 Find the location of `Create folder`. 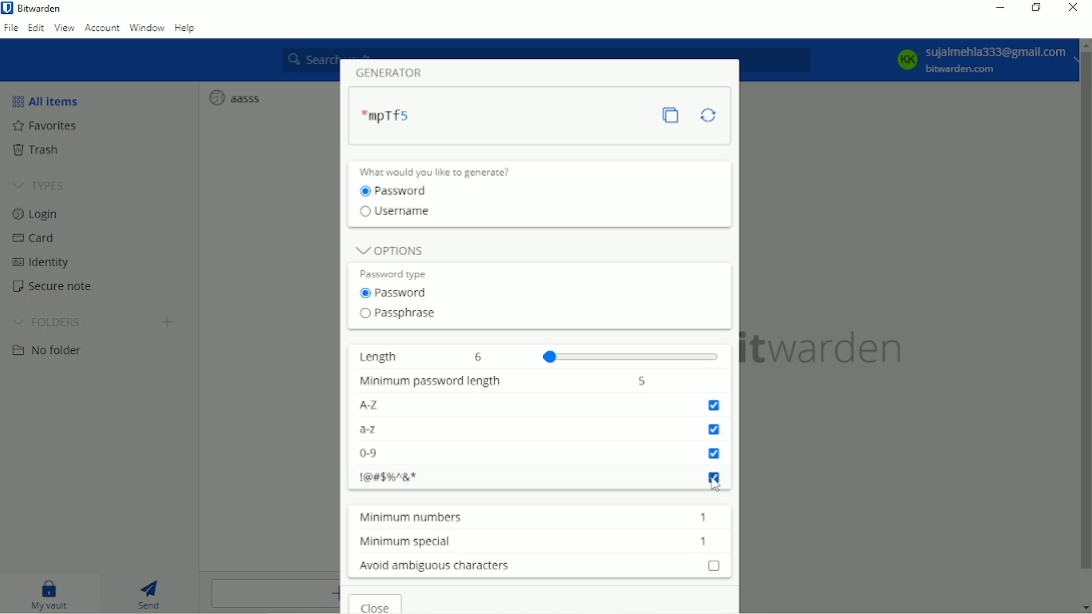

Create folder is located at coordinates (168, 323).